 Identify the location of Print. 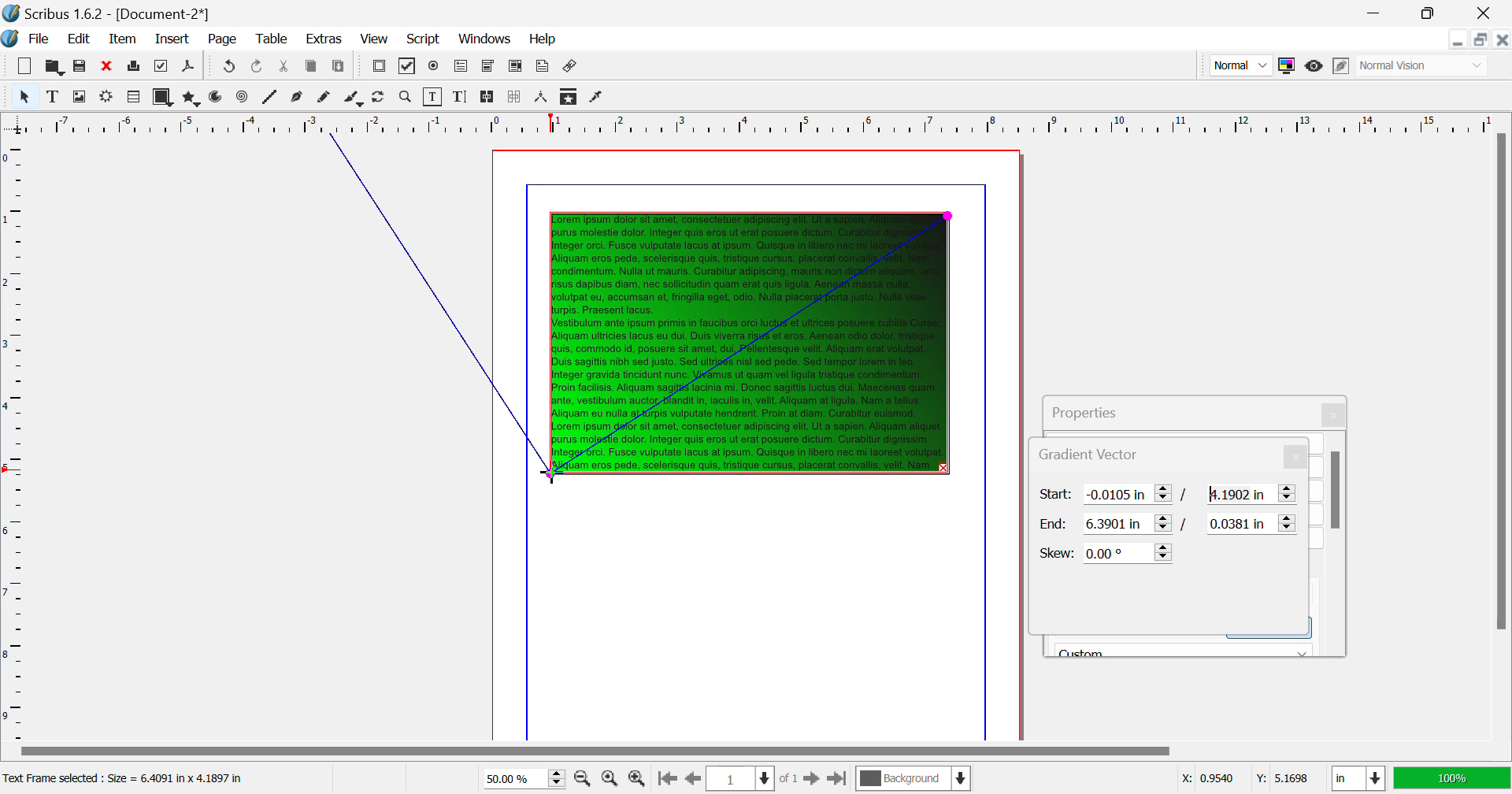
(135, 66).